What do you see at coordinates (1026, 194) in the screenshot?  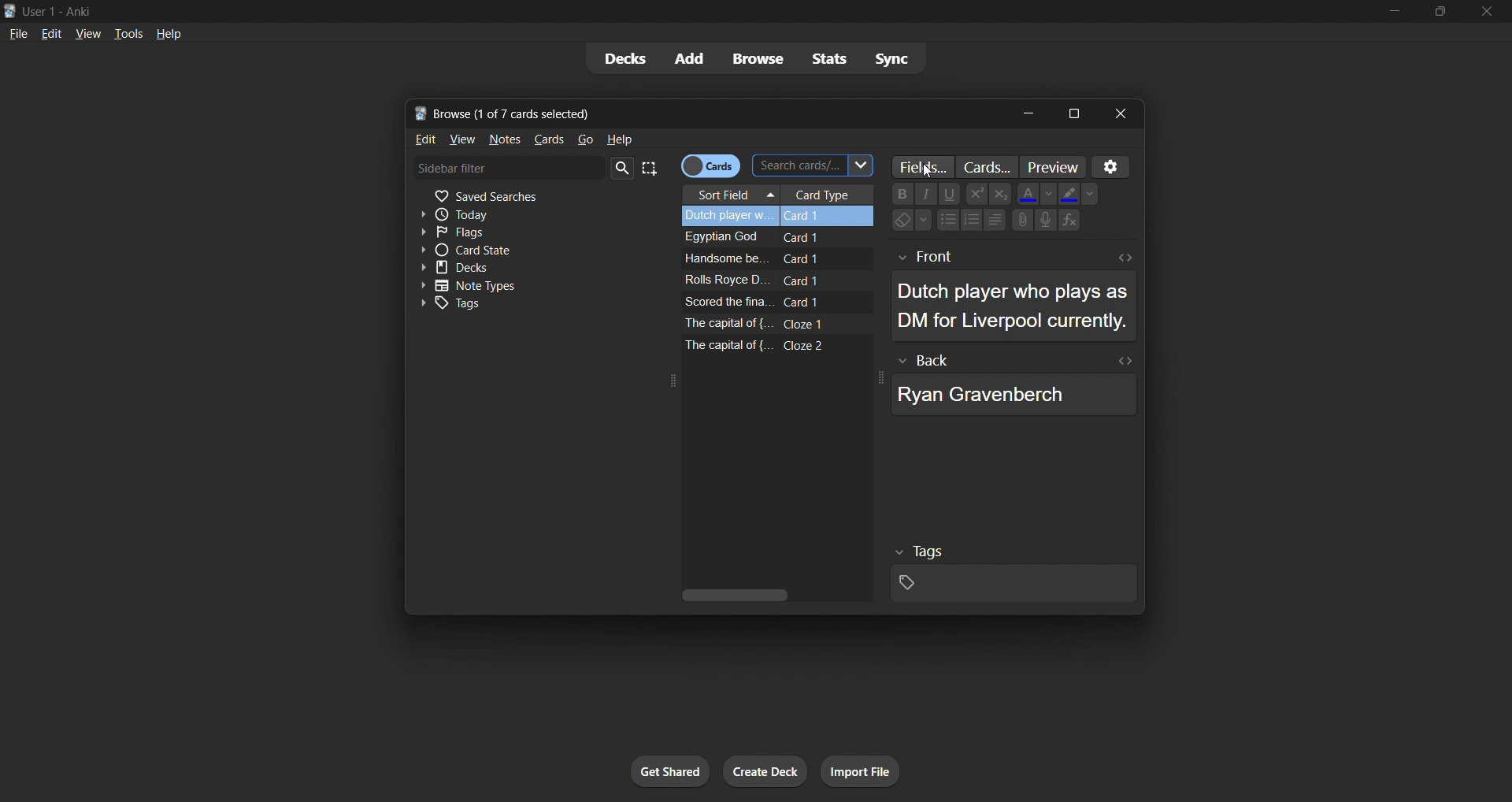 I see `Font Color` at bounding box center [1026, 194].